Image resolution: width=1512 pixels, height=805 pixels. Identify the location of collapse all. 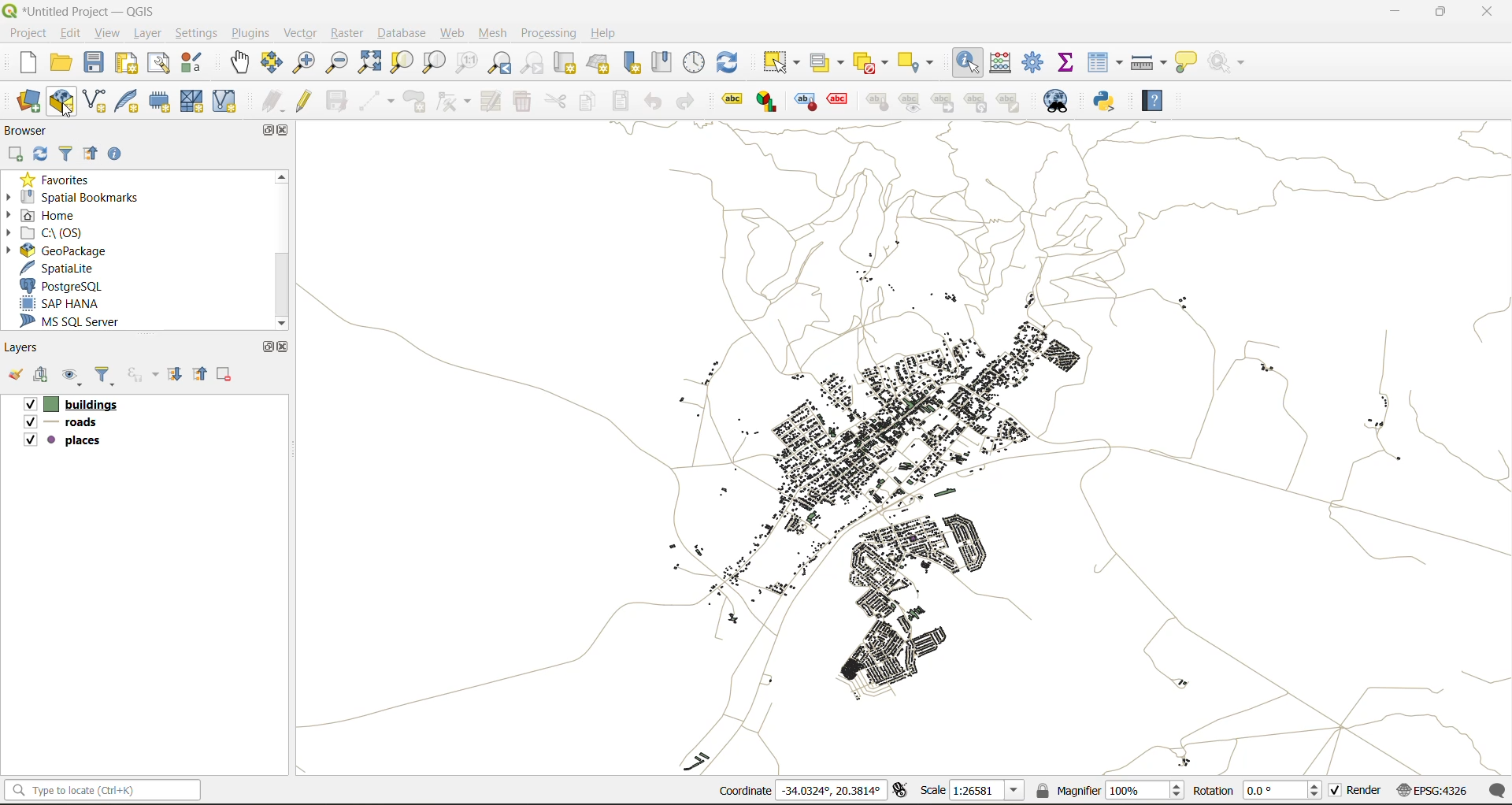
(202, 373).